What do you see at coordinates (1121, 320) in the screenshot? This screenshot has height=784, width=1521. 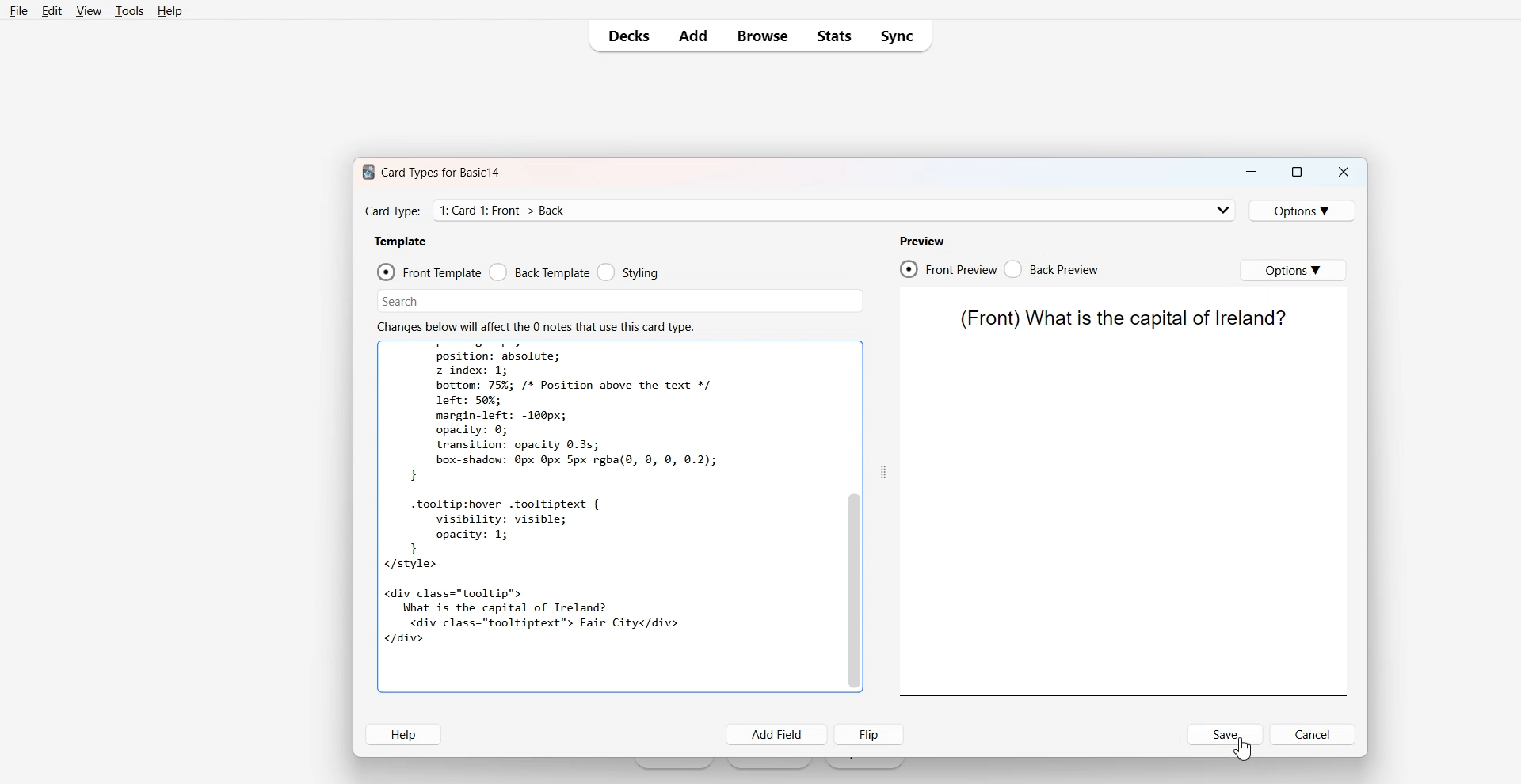 I see `Text` at bounding box center [1121, 320].